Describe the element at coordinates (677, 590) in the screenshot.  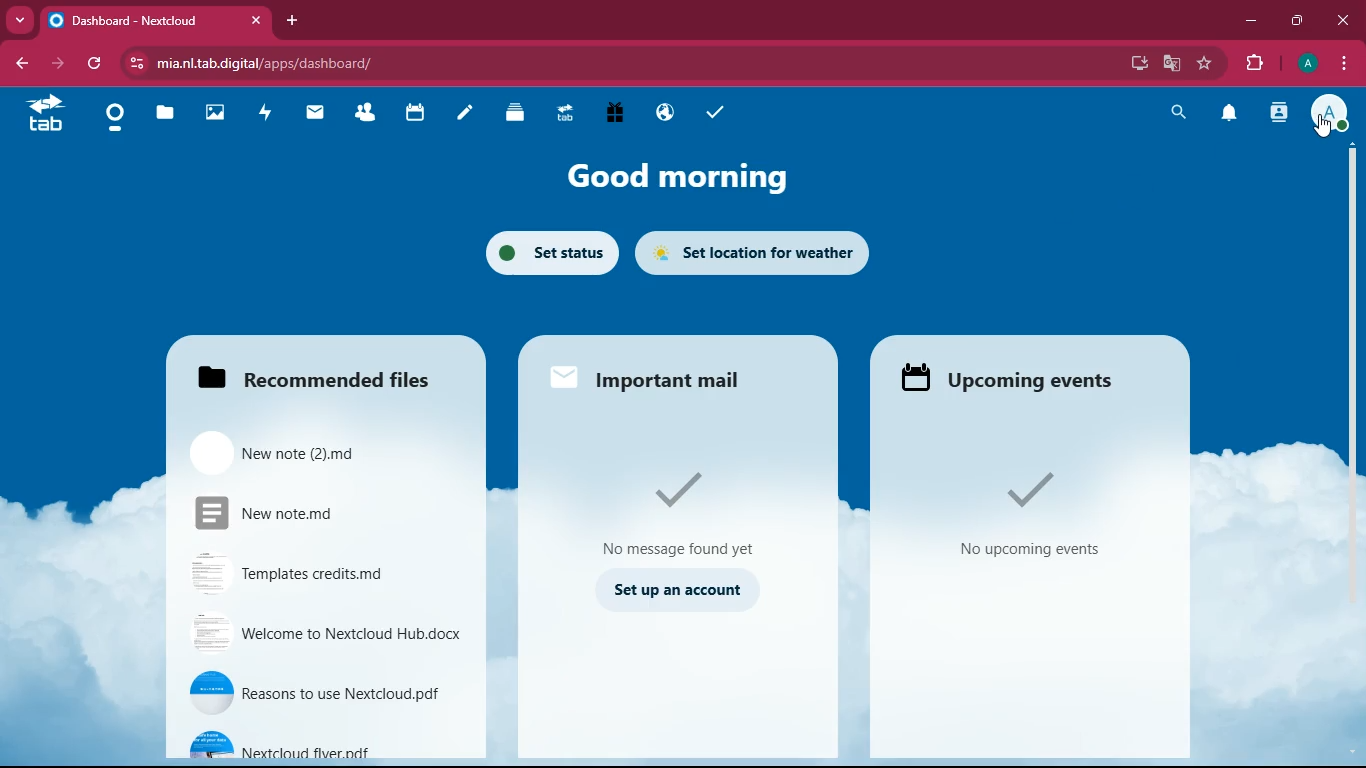
I see `set up an account` at that location.